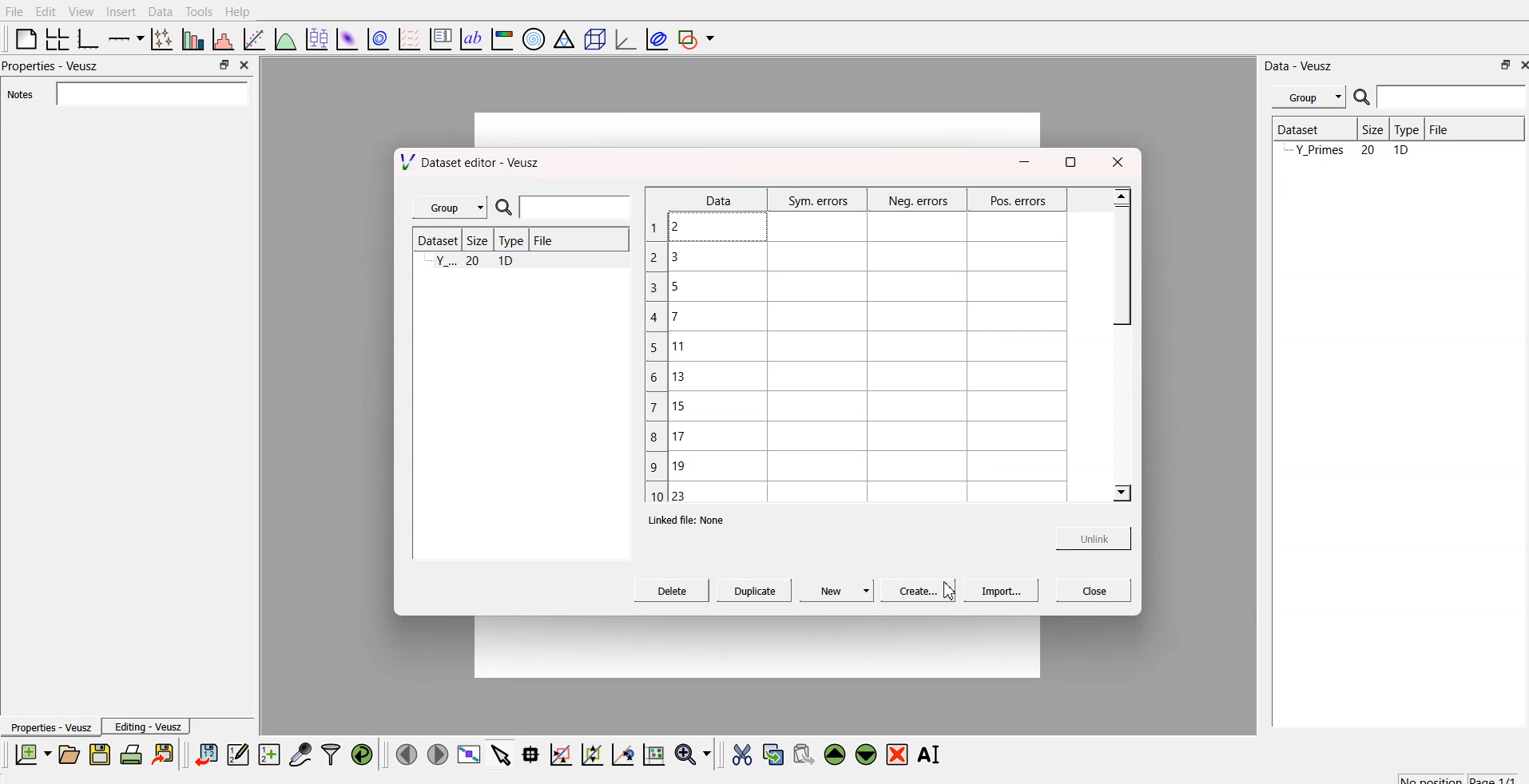 This screenshot has height=784, width=1529. I want to click on select items from graph, so click(502, 754).